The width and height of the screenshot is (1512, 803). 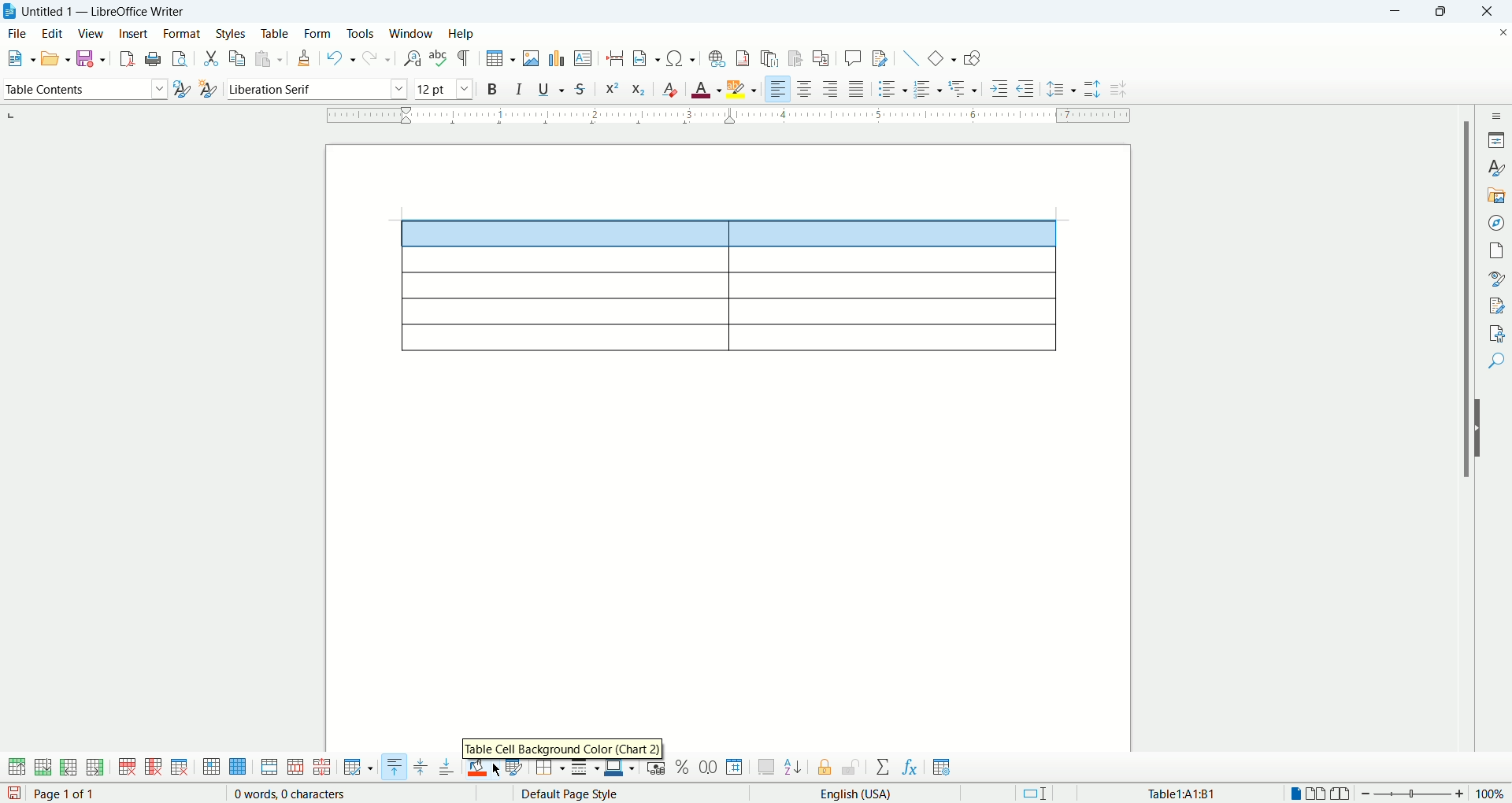 I want to click on align center, so click(x=804, y=88).